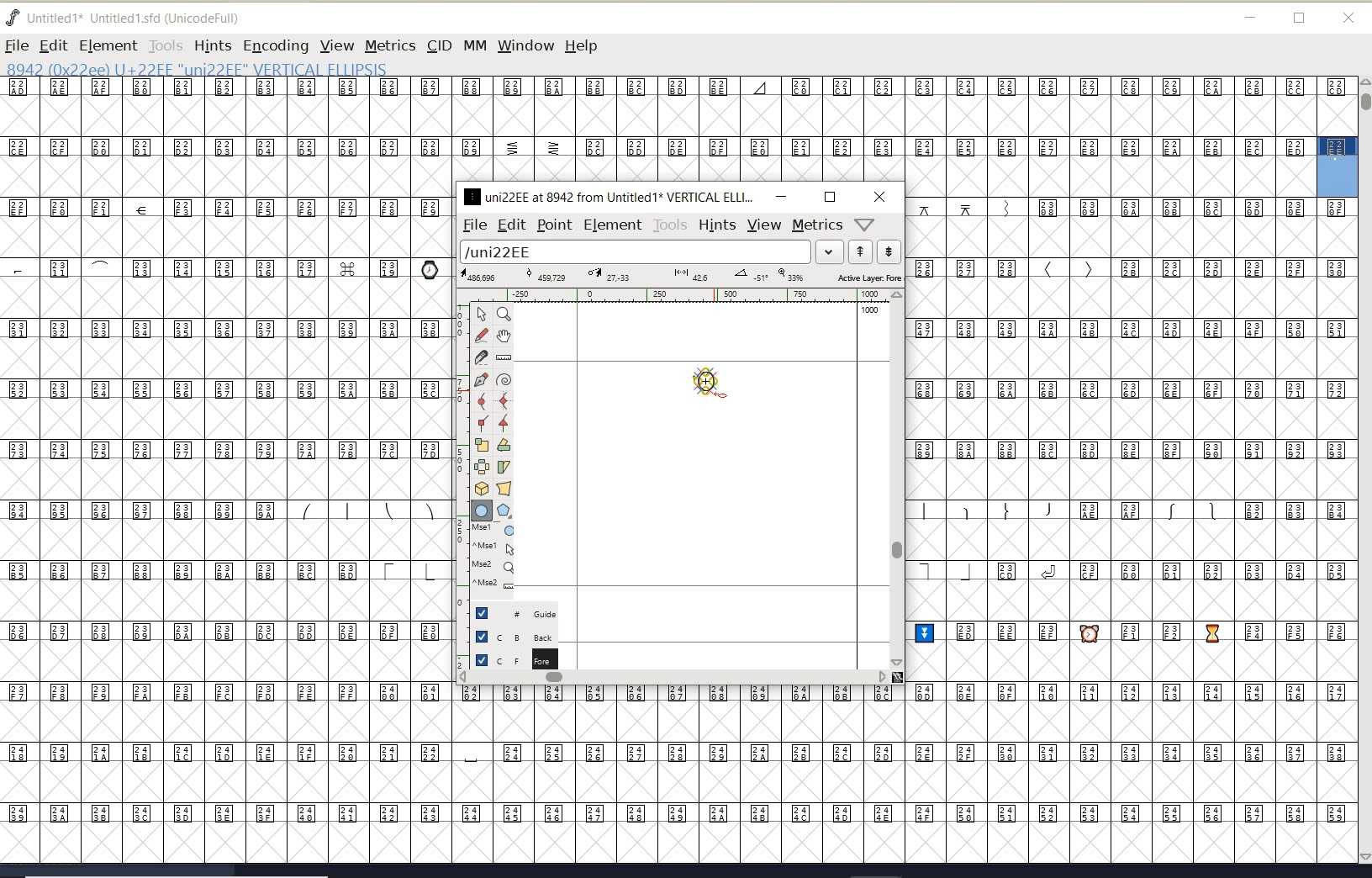 The image size is (1372, 878). Describe the element at coordinates (715, 387) in the screenshot. I see `rectangle or ellipse/cursor position` at that location.